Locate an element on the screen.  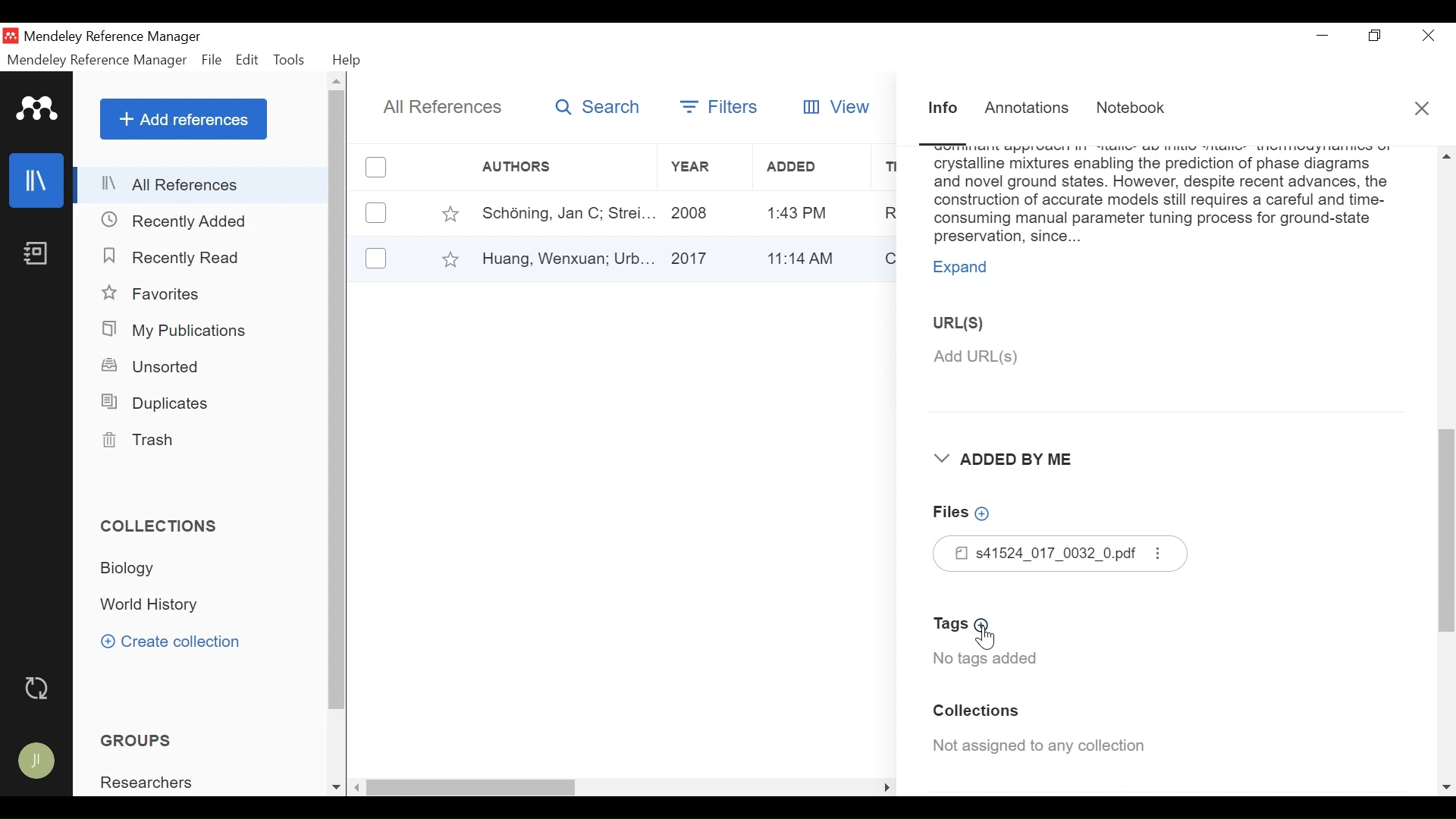
File is located at coordinates (212, 61).